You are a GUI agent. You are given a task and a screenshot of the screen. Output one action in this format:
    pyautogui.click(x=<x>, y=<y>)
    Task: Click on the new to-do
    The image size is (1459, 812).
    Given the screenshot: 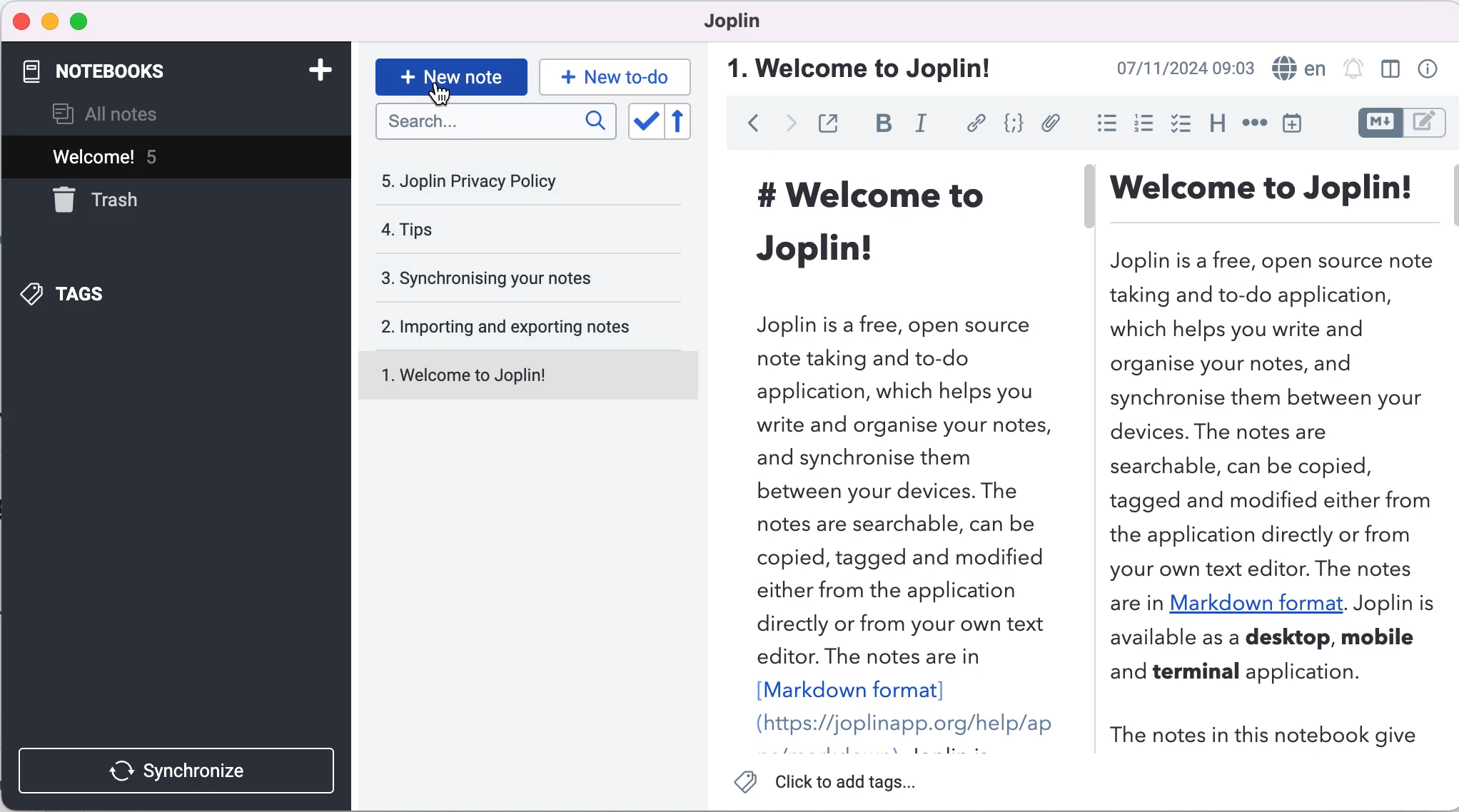 What is the action you would take?
    pyautogui.click(x=617, y=74)
    